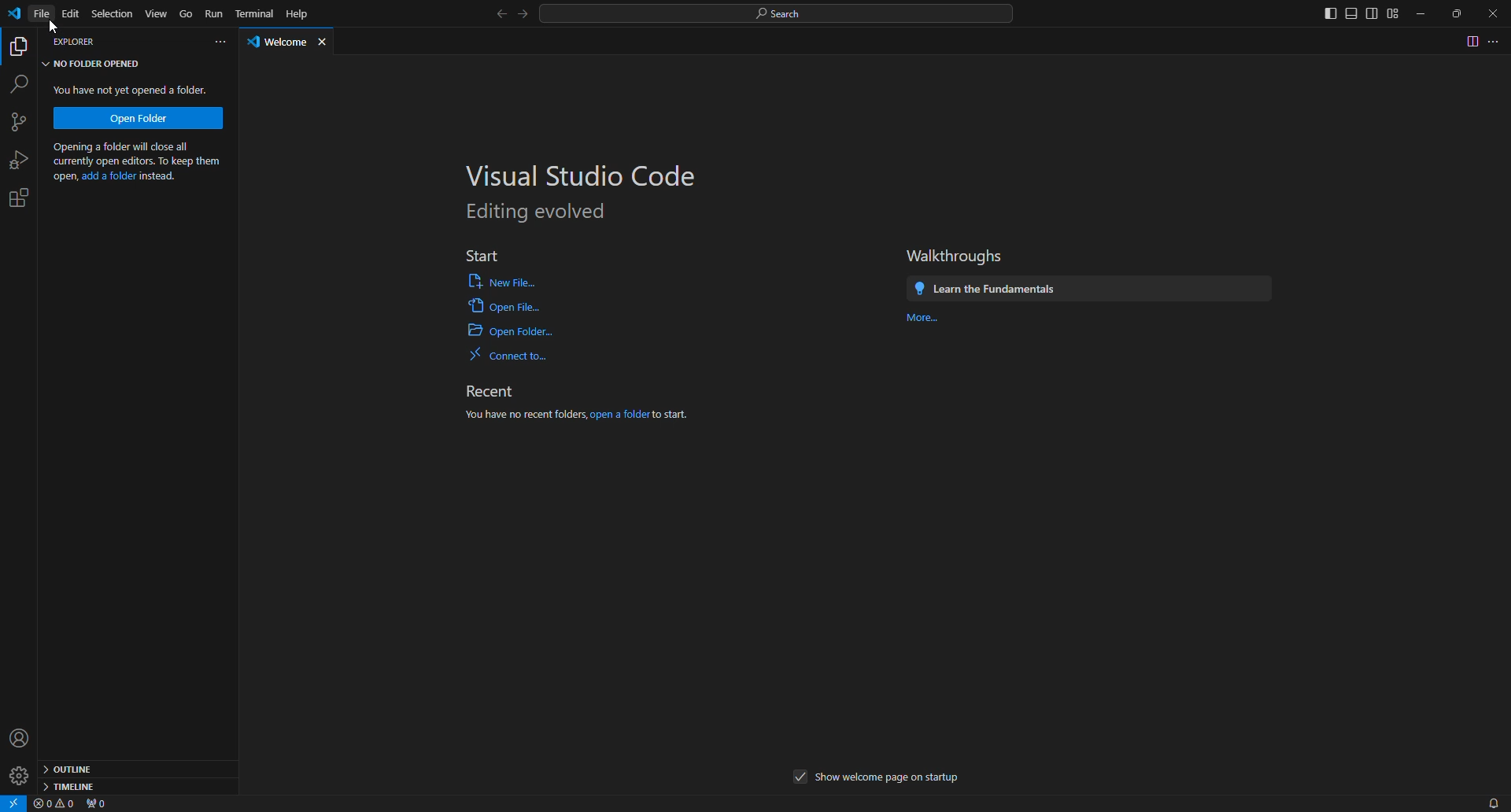  Describe the element at coordinates (139, 117) in the screenshot. I see `open folder` at that location.